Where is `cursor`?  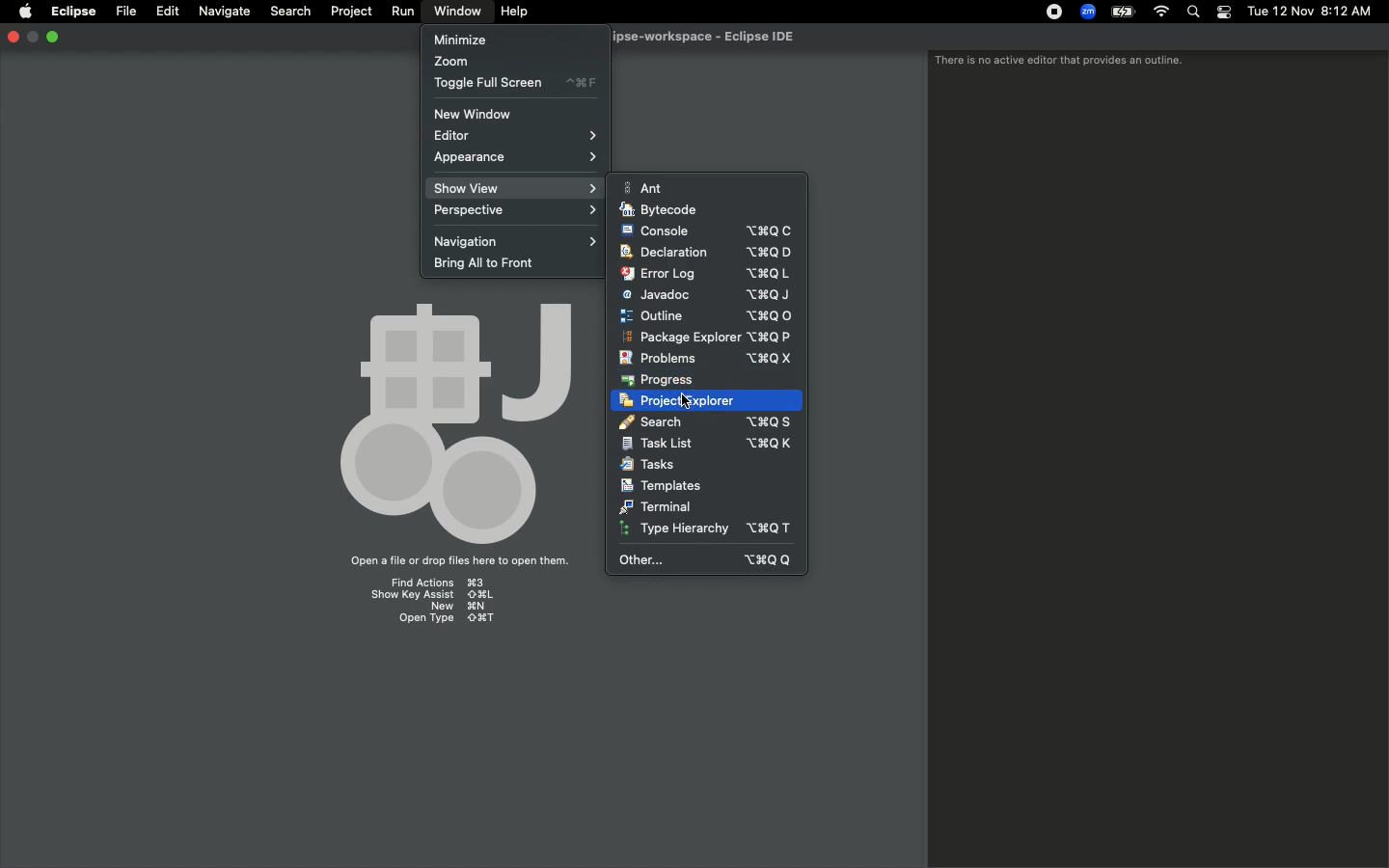
cursor is located at coordinates (683, 399).